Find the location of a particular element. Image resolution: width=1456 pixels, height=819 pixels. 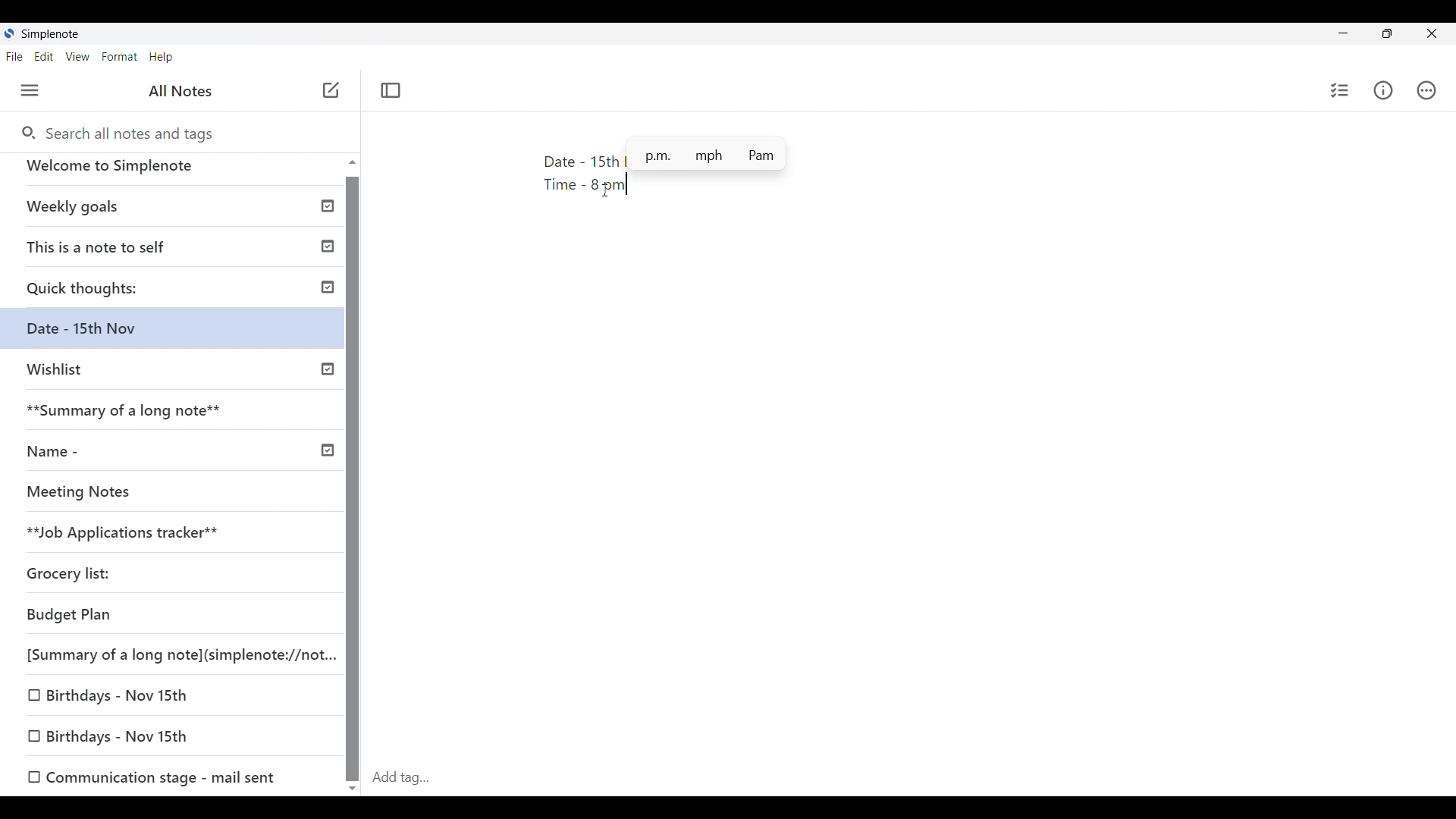

Unpublished note is located at coordinates (124, 495).